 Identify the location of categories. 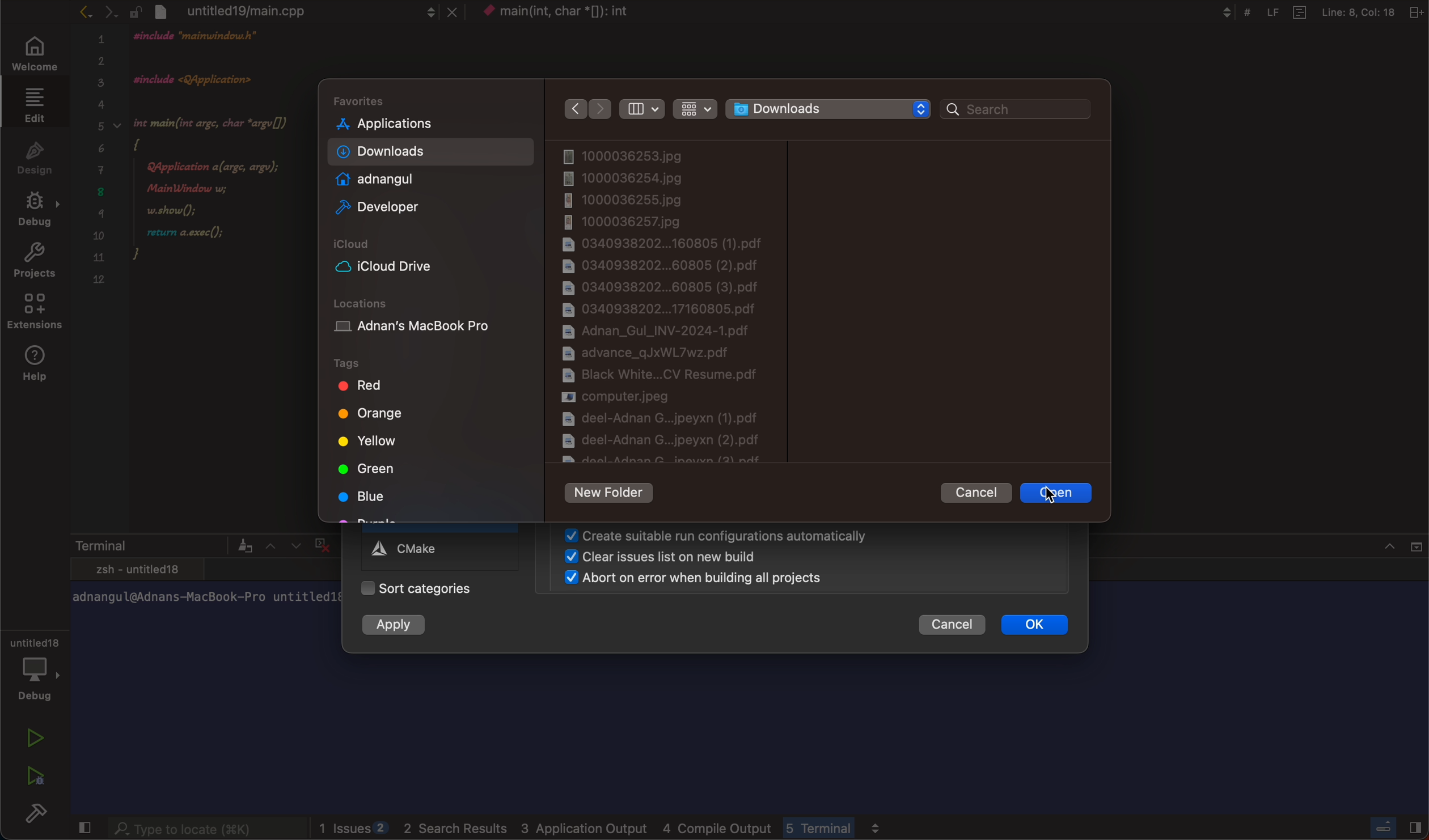
(437, 588).